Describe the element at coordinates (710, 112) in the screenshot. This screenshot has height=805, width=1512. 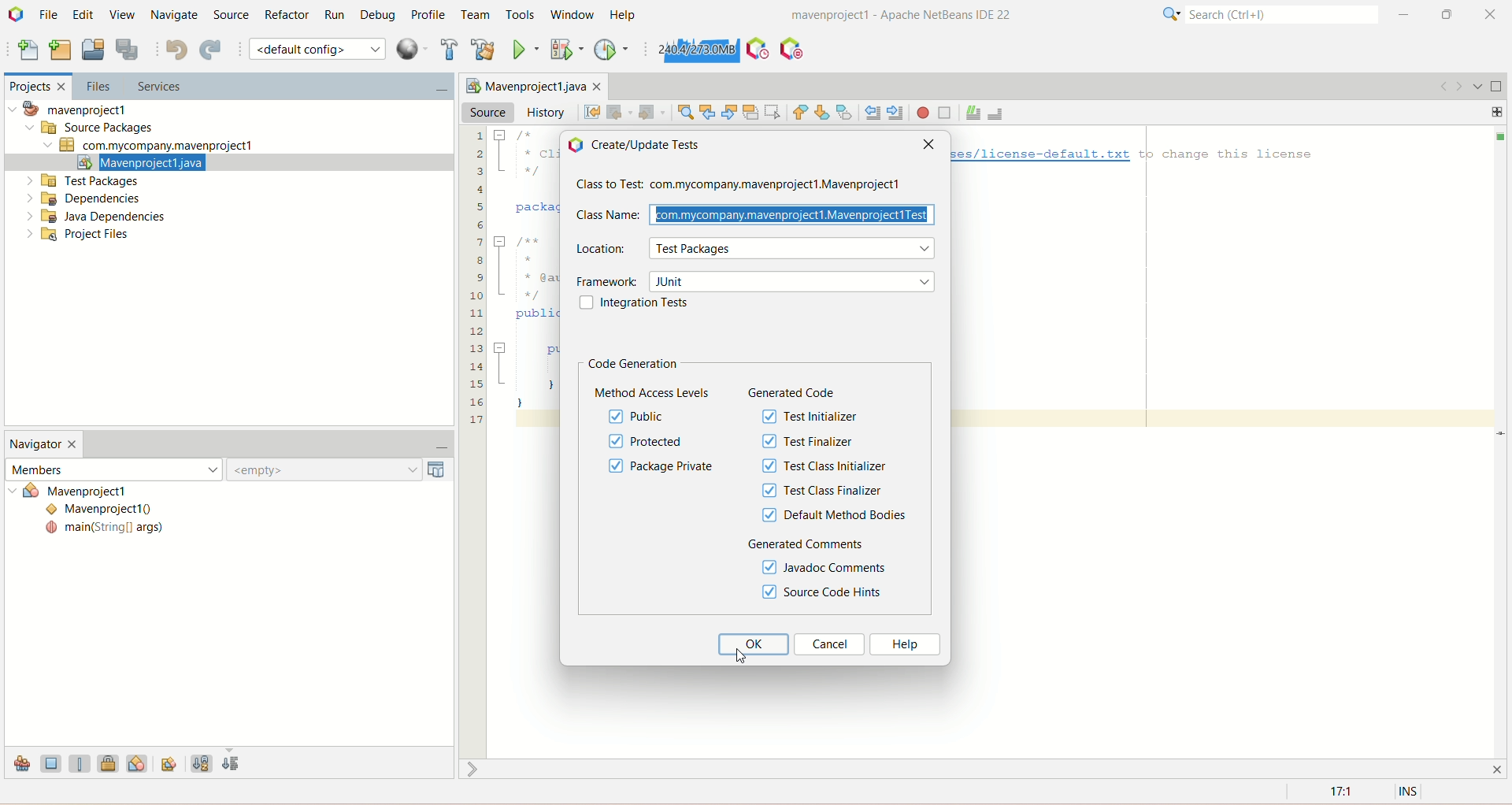
I see `find previous occurrence` at that location.